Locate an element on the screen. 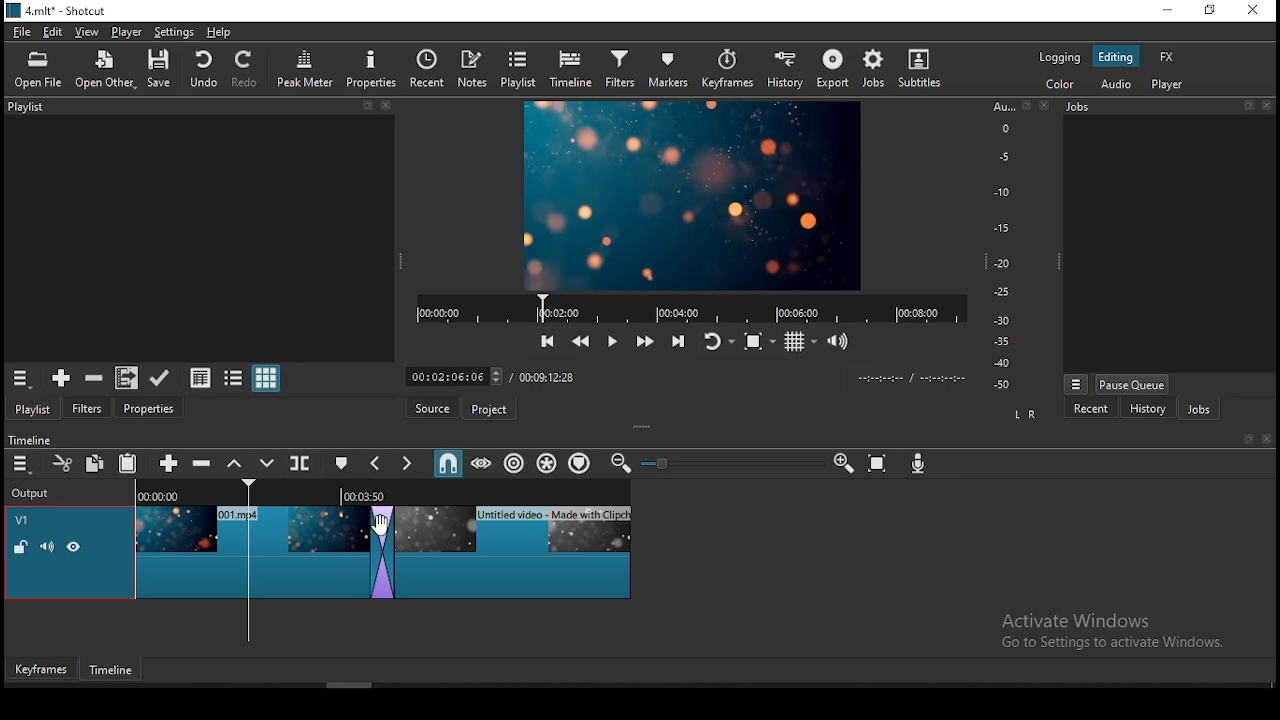 The width and height of the screenshot is (1280, 720). open other is located at coordinates (107, 70).